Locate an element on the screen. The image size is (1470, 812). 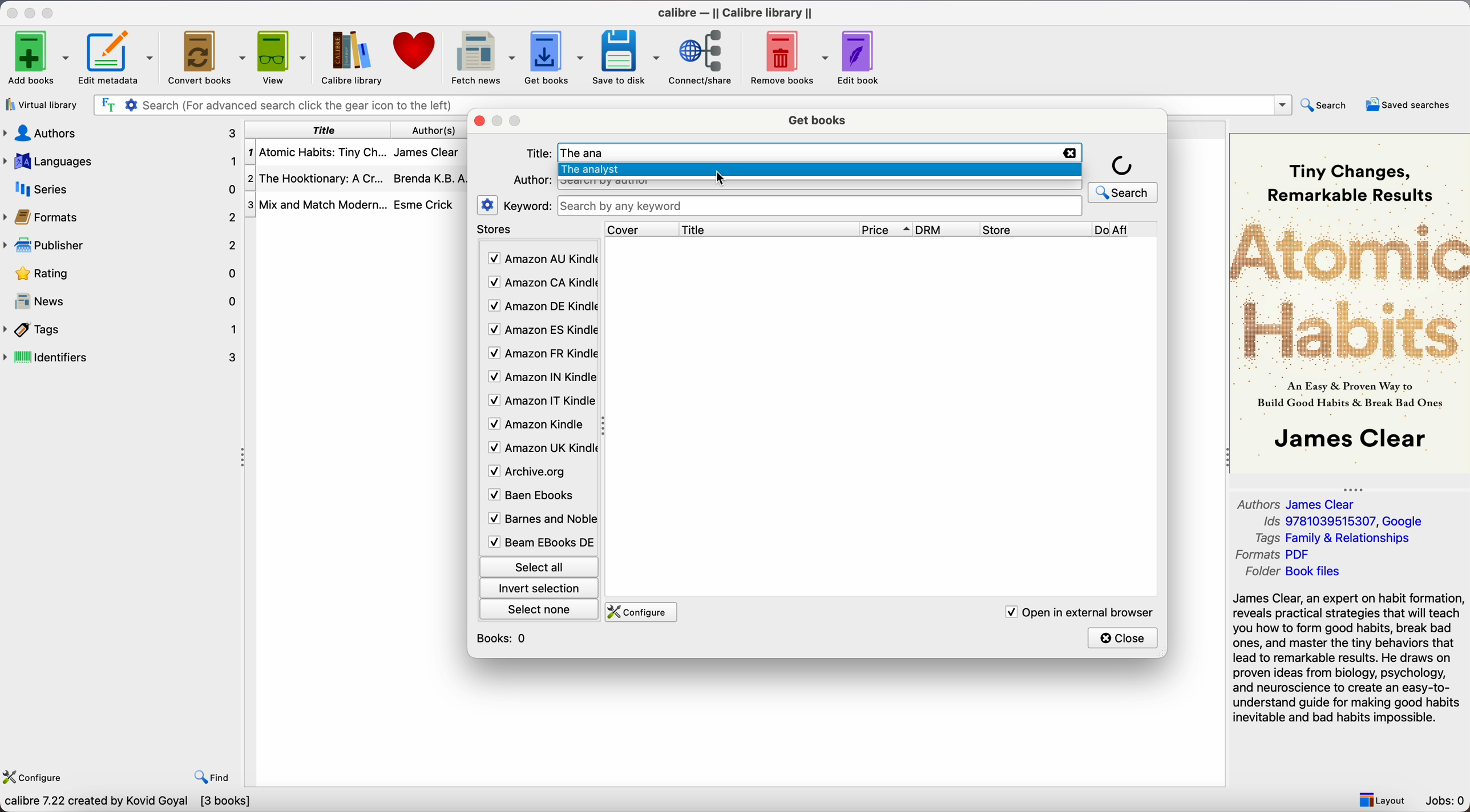
Brenda K.B.A... is located at coordinates (434, 178).